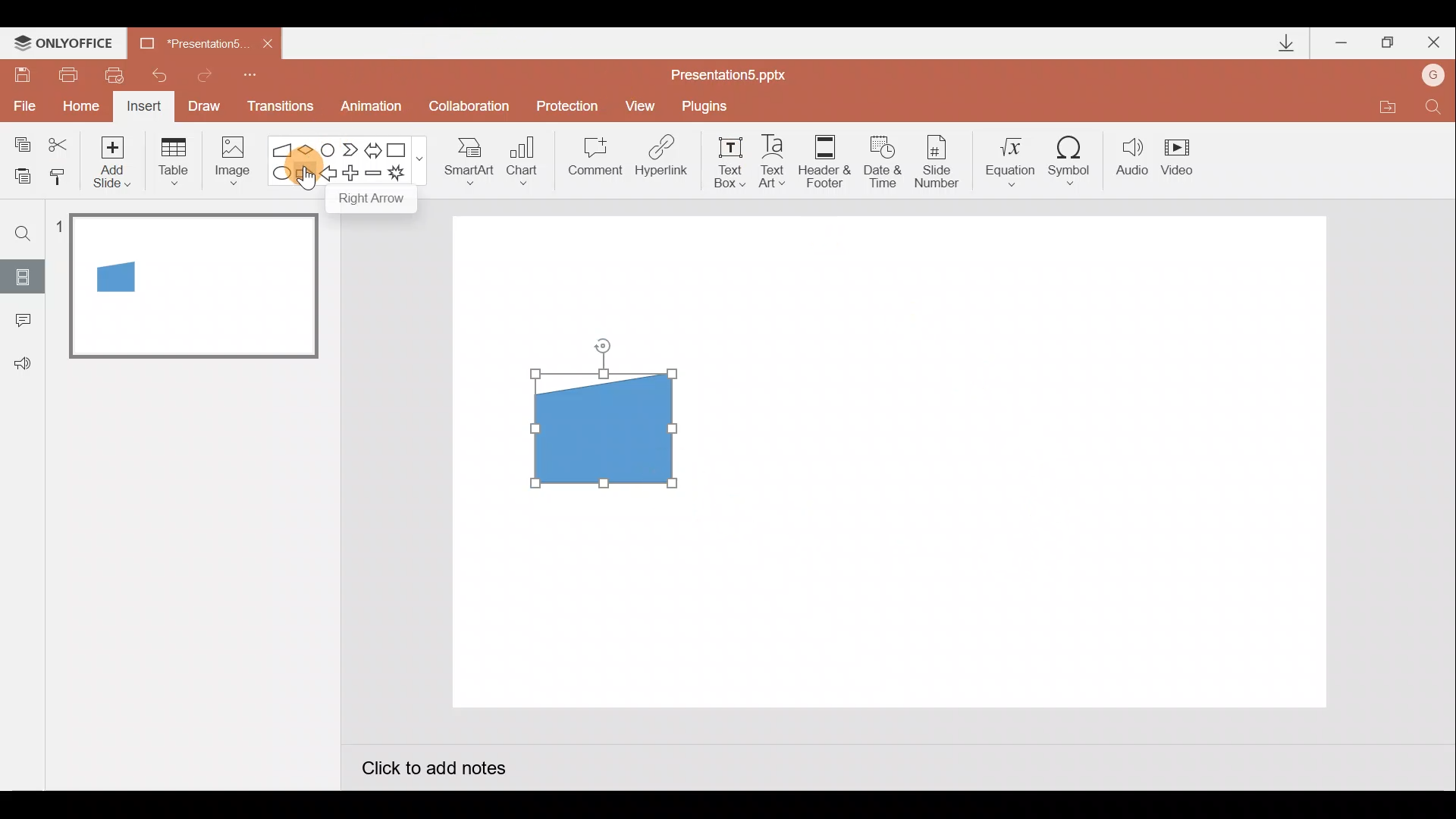 The image size is (1456, 819). I want to click on Collaboration, so click(472, 108).